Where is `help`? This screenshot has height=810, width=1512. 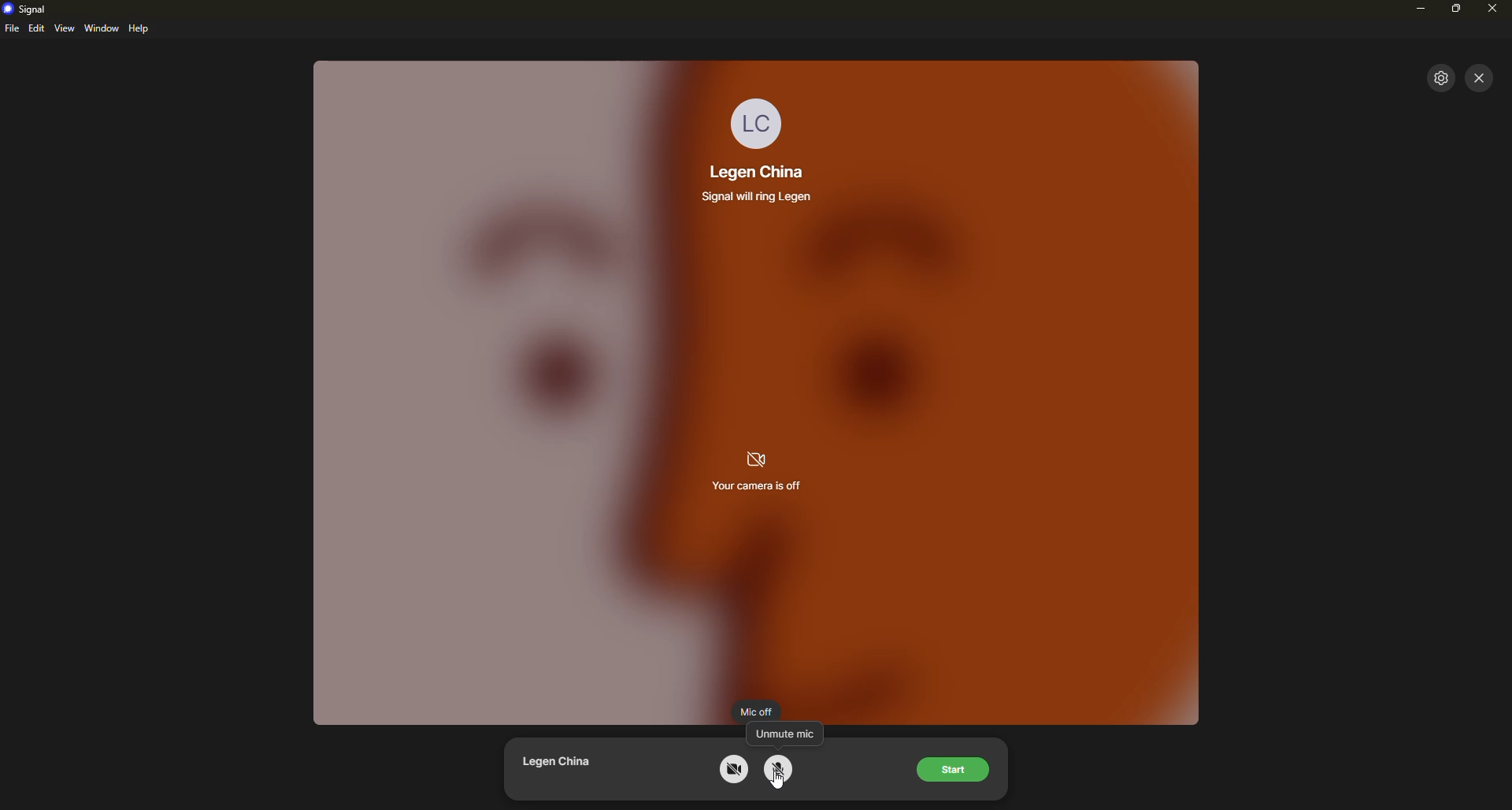 help is located at coordinates (141, 28).